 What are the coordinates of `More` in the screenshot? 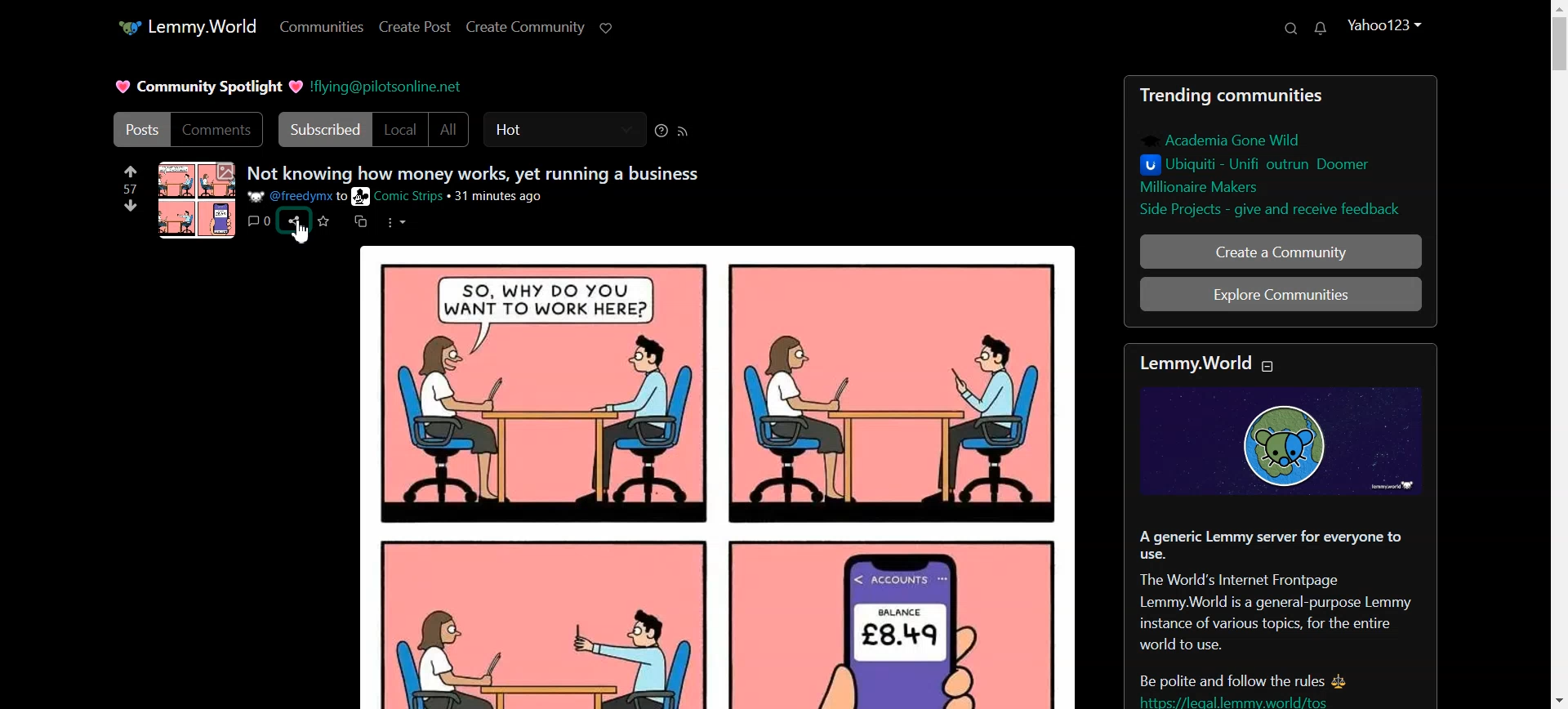 It's located at (395, 221).